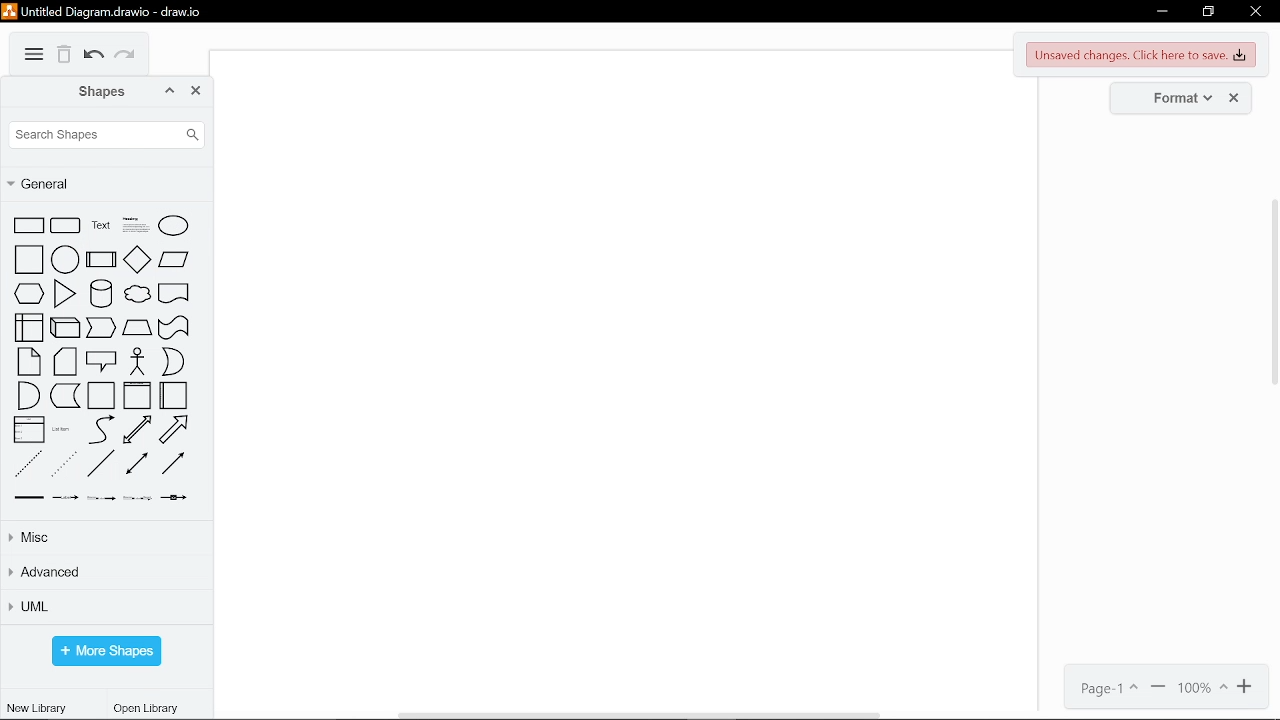  What do you see at coordinates (174, 328) in the screenshot?
I see `tape` at bounding box center [174, 328].